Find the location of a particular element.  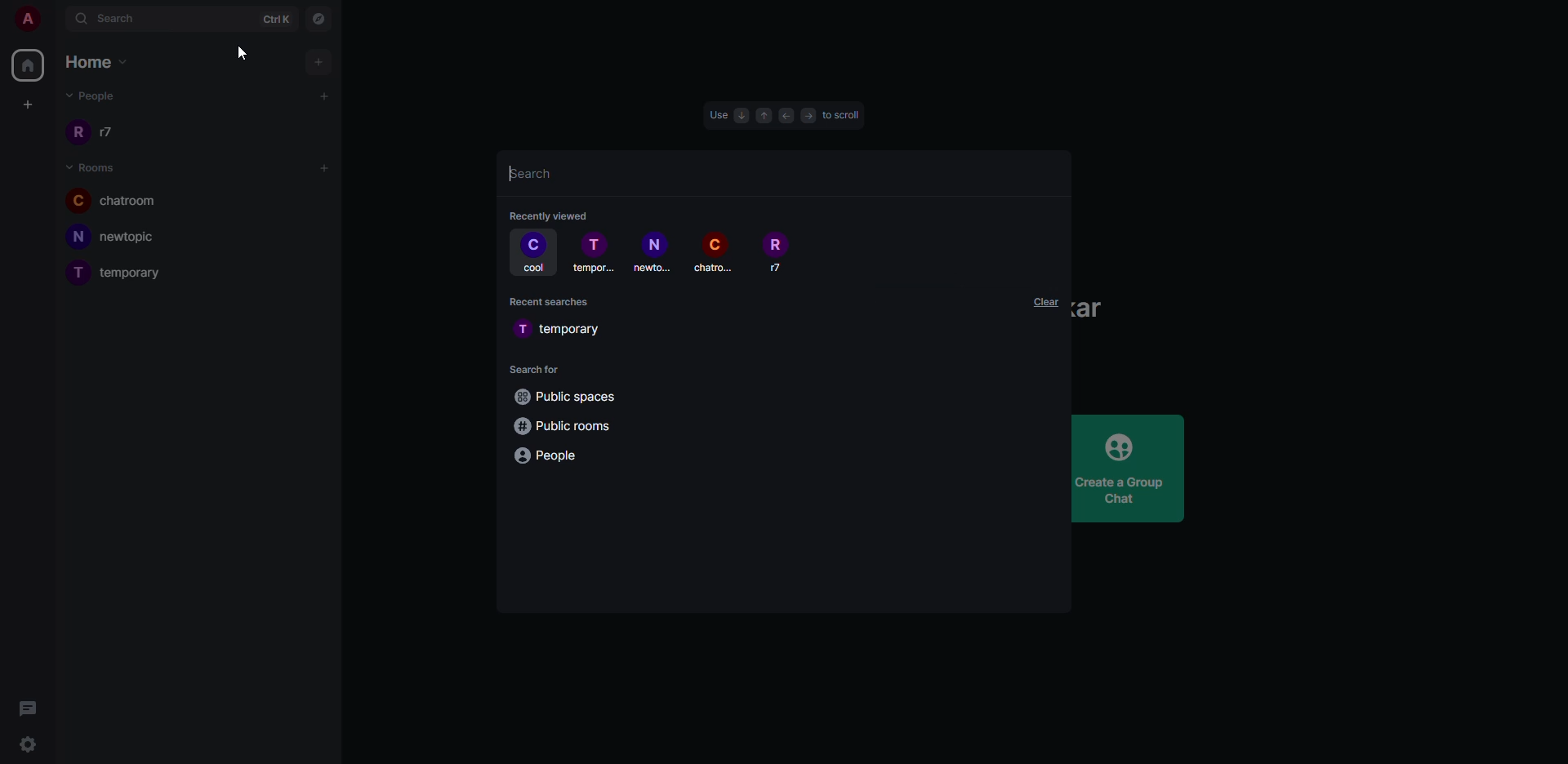

cursor is located at coordinates (243, 53).